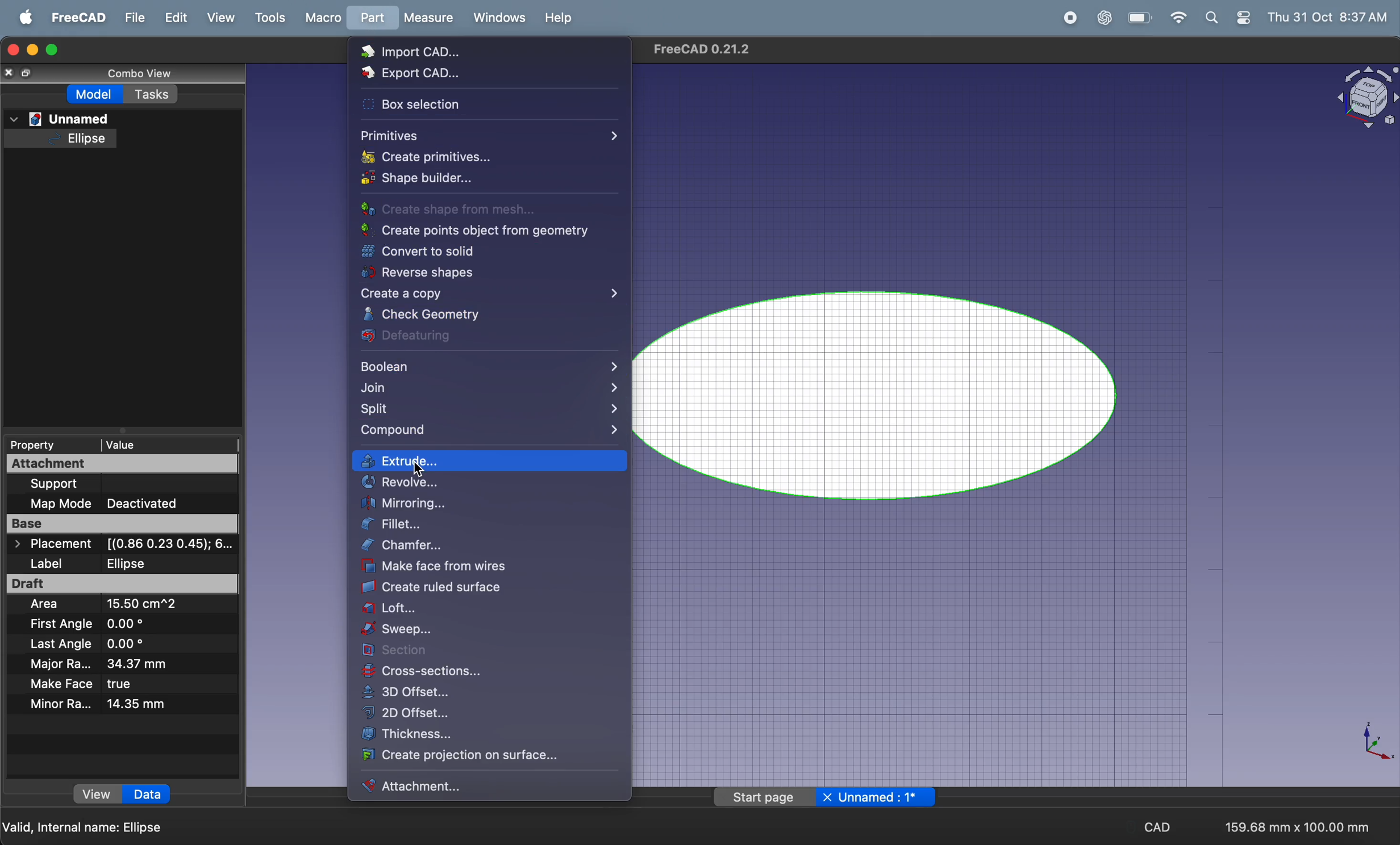 The width and height of the screenshot is (1400, 845). What do you see at coordinates (97, 684) in the screenshot?
I see `make face` at bounding box center [97, 684].